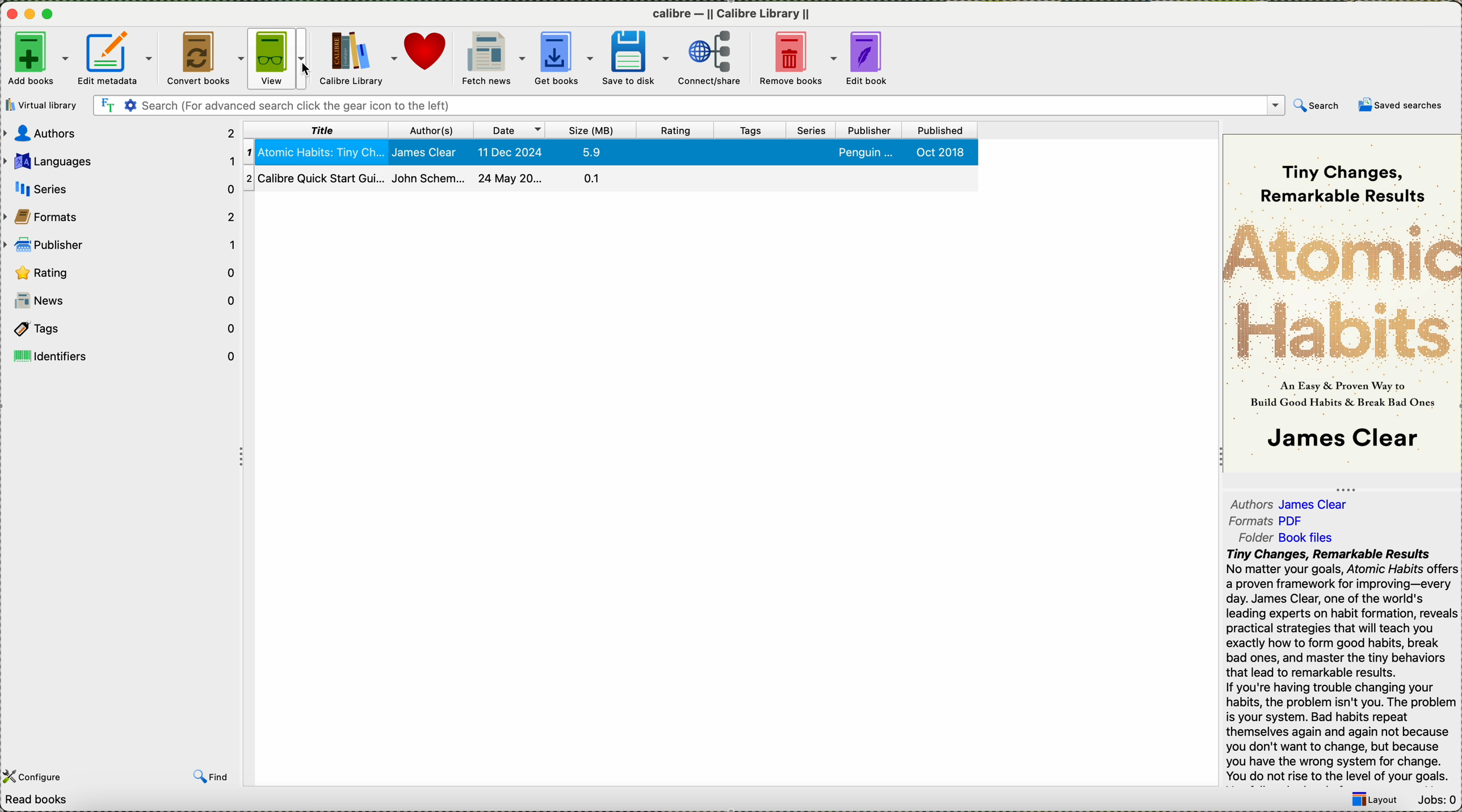 The image size is (1462, 812). Describe the element at coordinates (359, 57) in the screenshot. I see `Calibre library` at that location.